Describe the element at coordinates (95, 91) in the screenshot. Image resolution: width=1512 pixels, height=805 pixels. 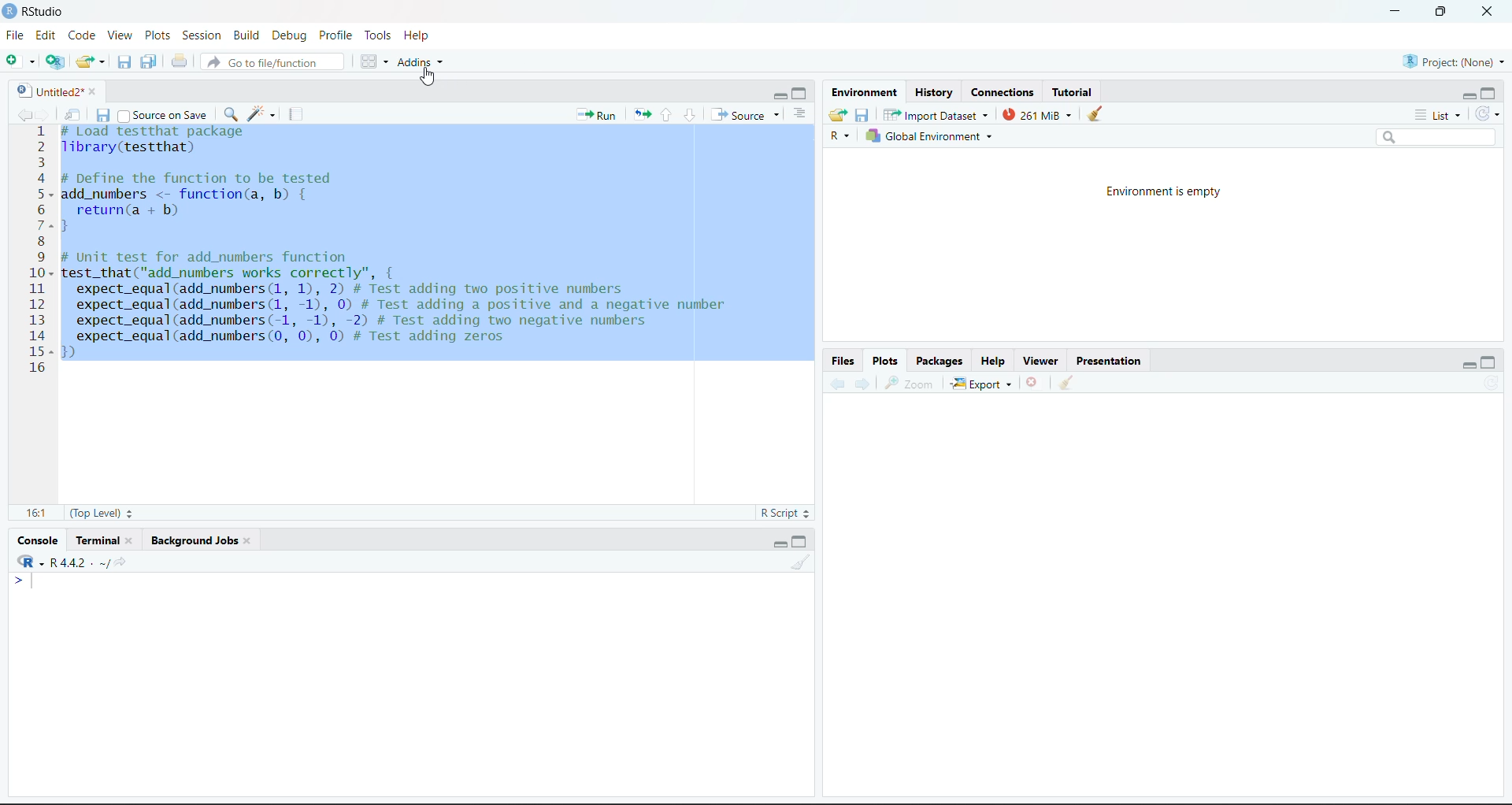
I see `close` at that location.